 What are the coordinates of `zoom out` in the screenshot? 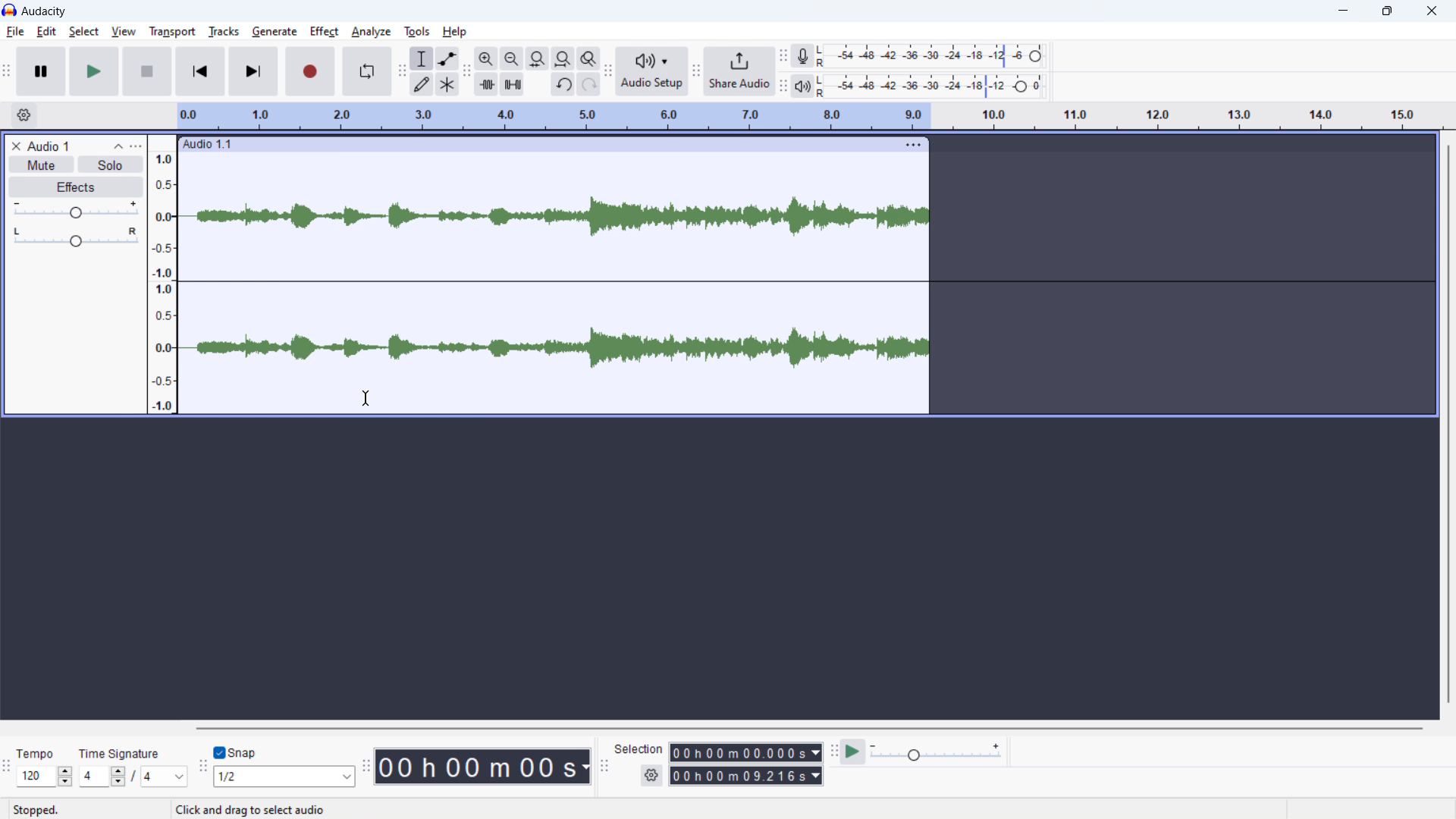 It's located at (511, 58).